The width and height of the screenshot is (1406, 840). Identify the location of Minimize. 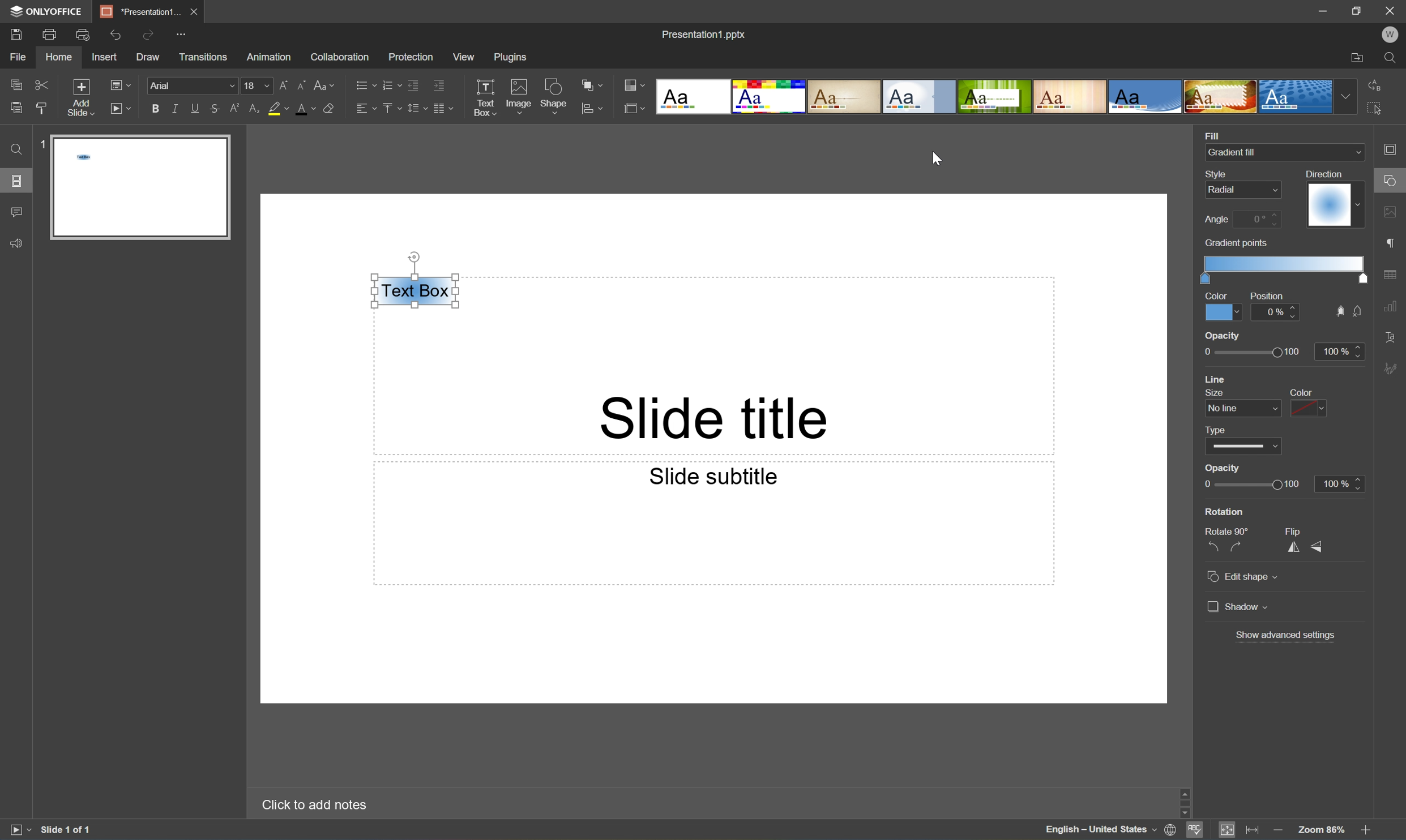
(1322, 9).